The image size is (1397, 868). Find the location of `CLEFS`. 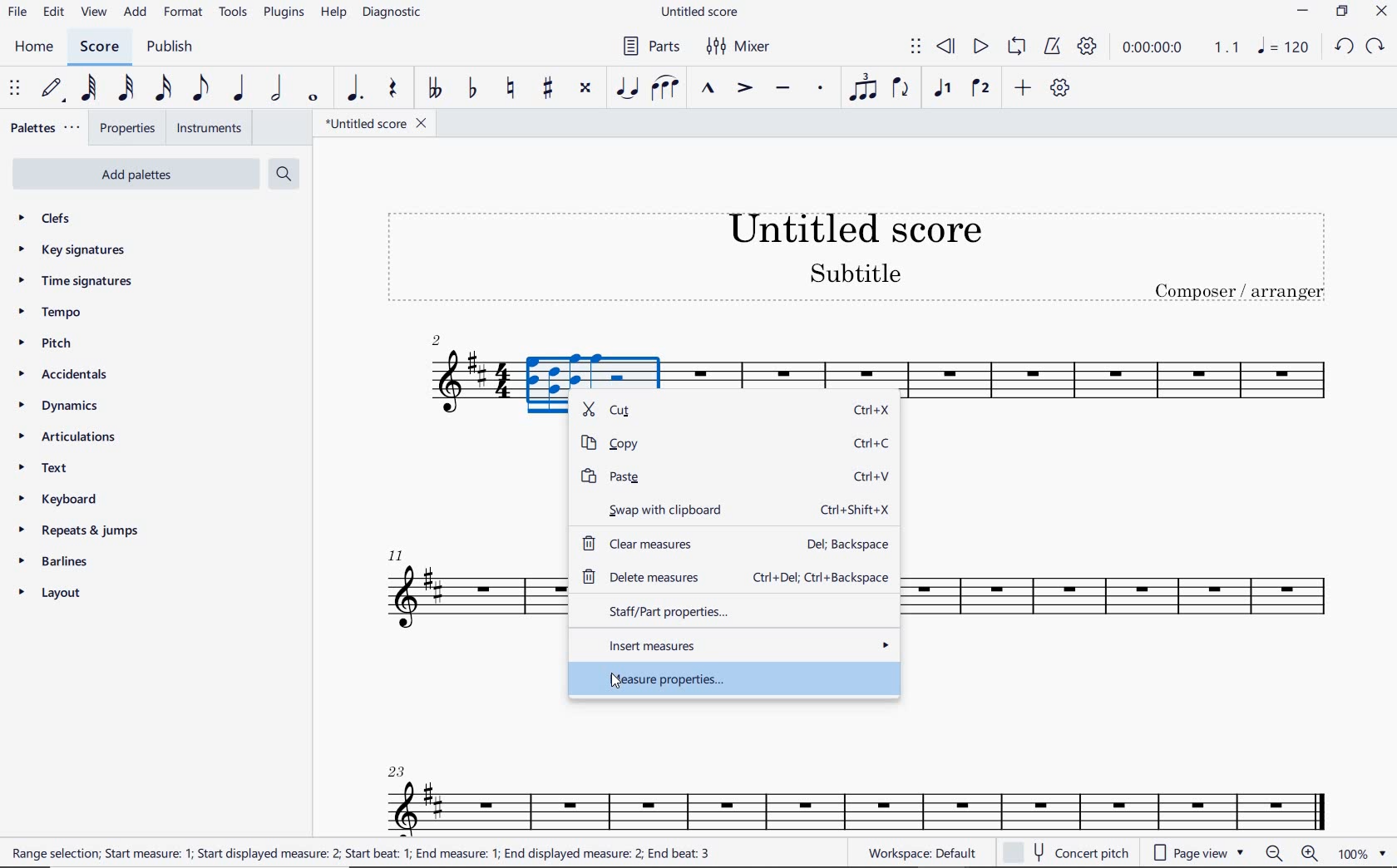

CLEFS is located at coordinates (55, 219).